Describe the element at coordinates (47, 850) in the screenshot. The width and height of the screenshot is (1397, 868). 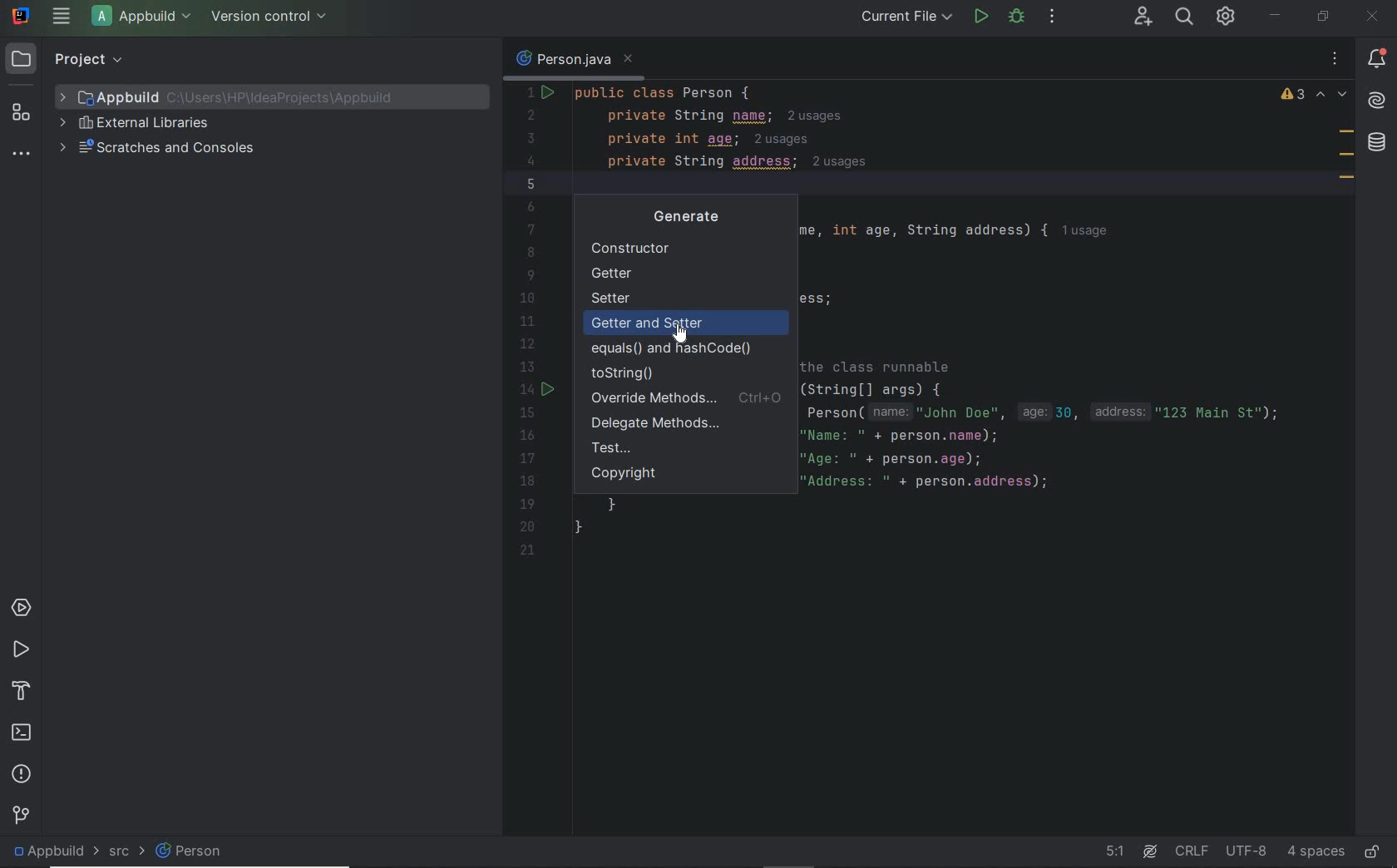
I see `project file name` at that location.